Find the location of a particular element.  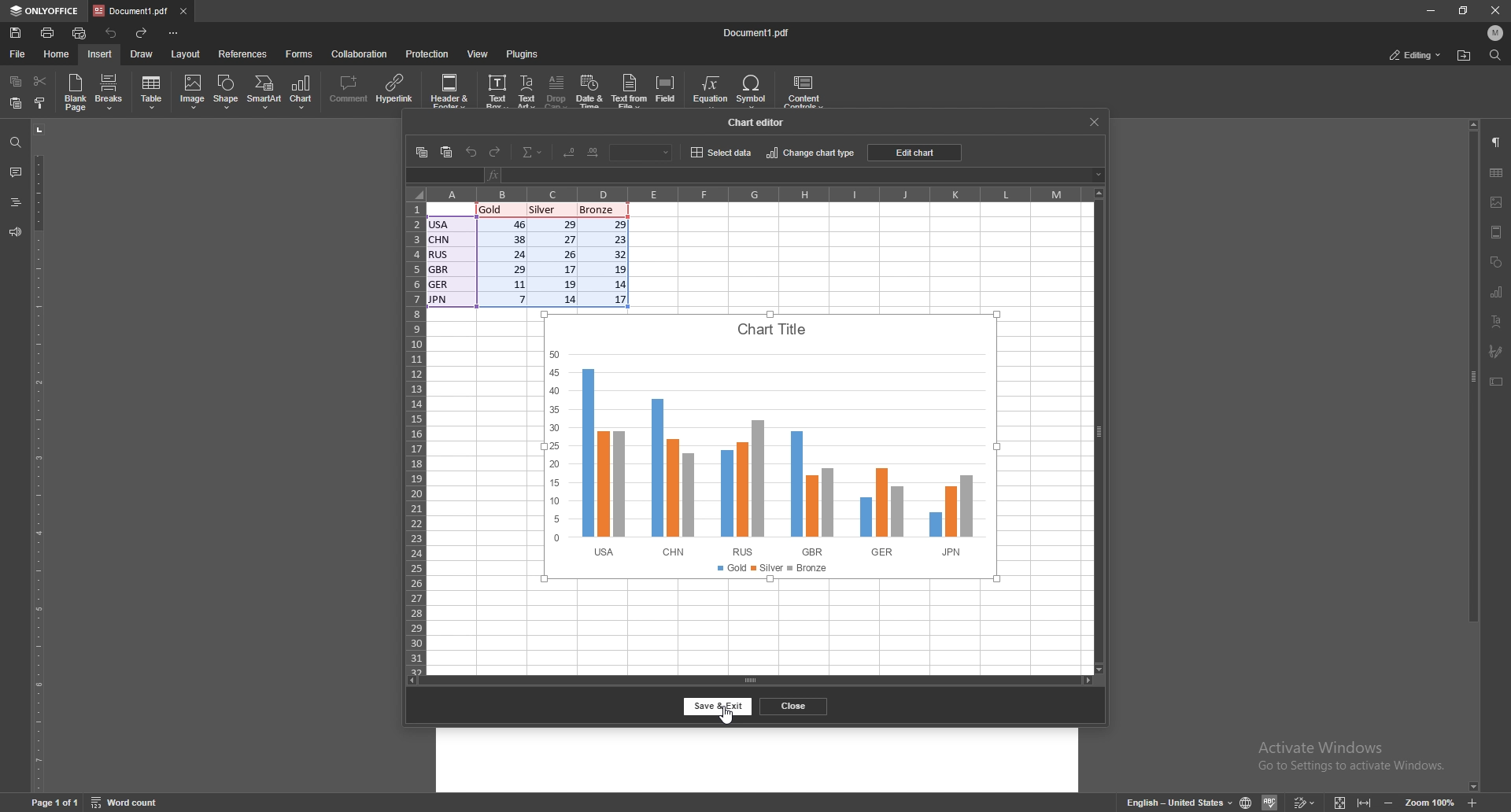

Zoom 100% is located at coordinates (1434, 802).